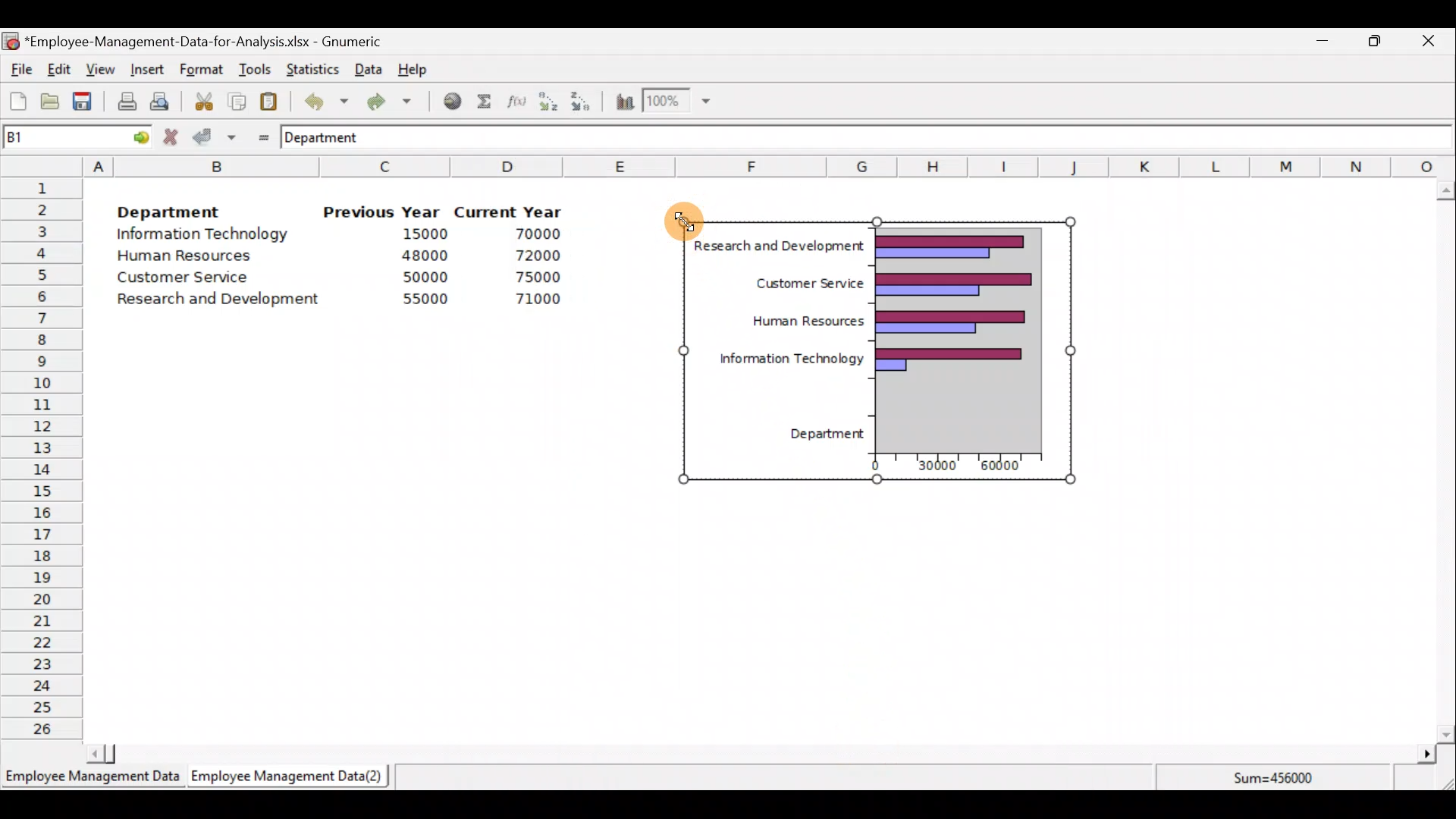  Describe the element at coordinates (42, 456) in the screenshot. I see `Rows` at that location.